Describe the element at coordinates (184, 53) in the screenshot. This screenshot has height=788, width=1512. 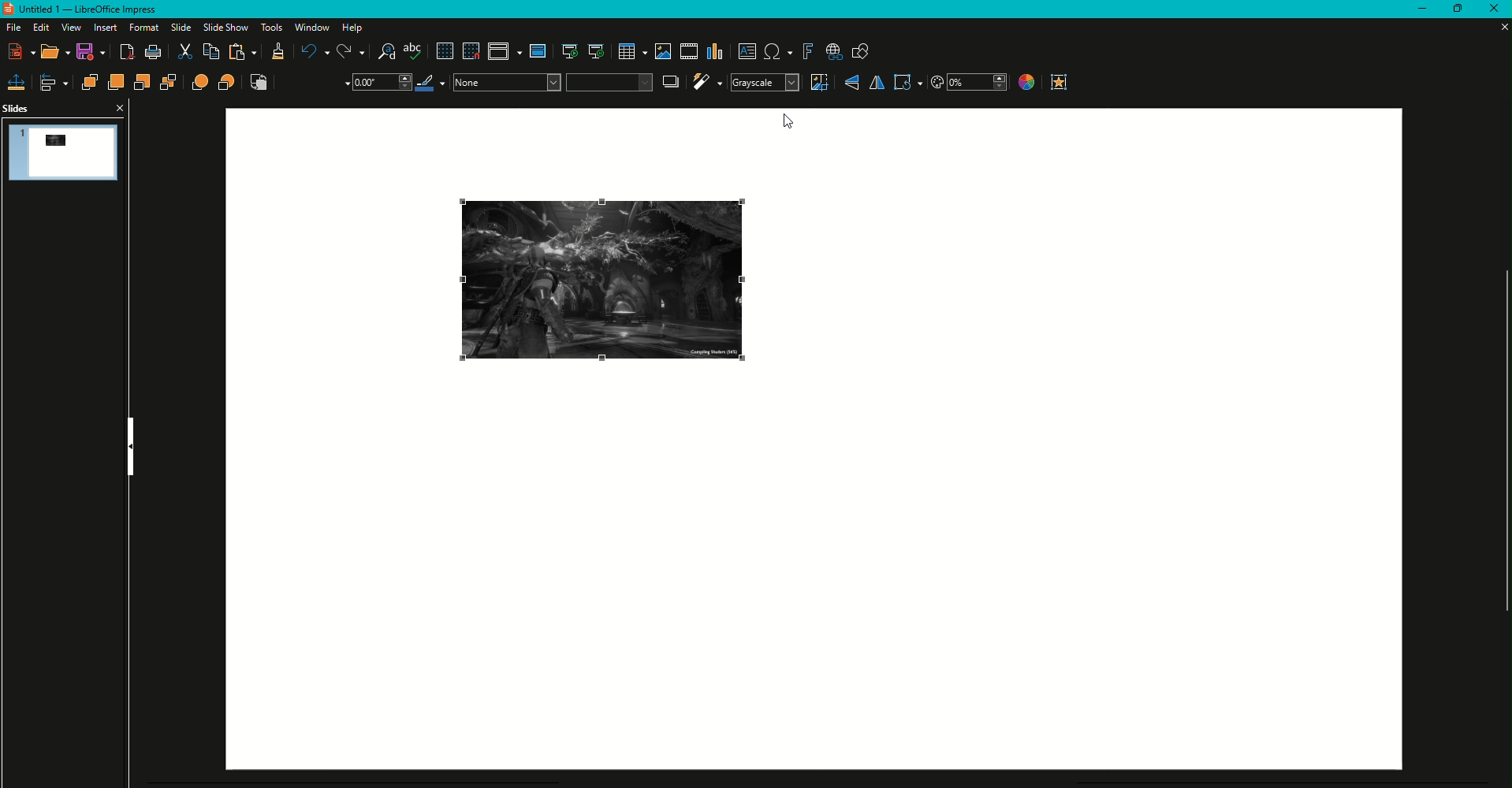
I see `Cut` at that location.